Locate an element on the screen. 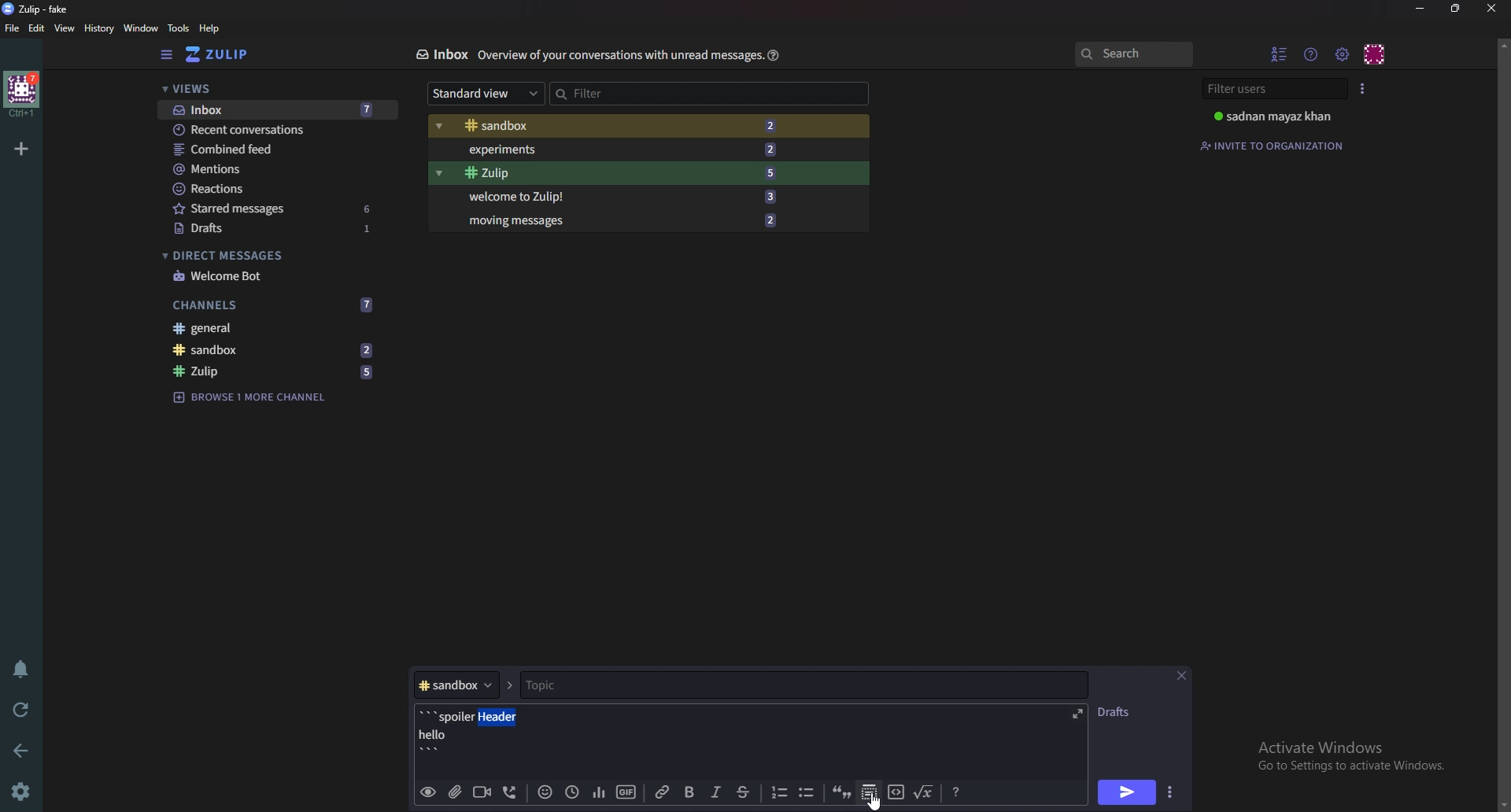 The width and height of the screenshot is (1511, 812). Math is located at coordinates (924, 793).